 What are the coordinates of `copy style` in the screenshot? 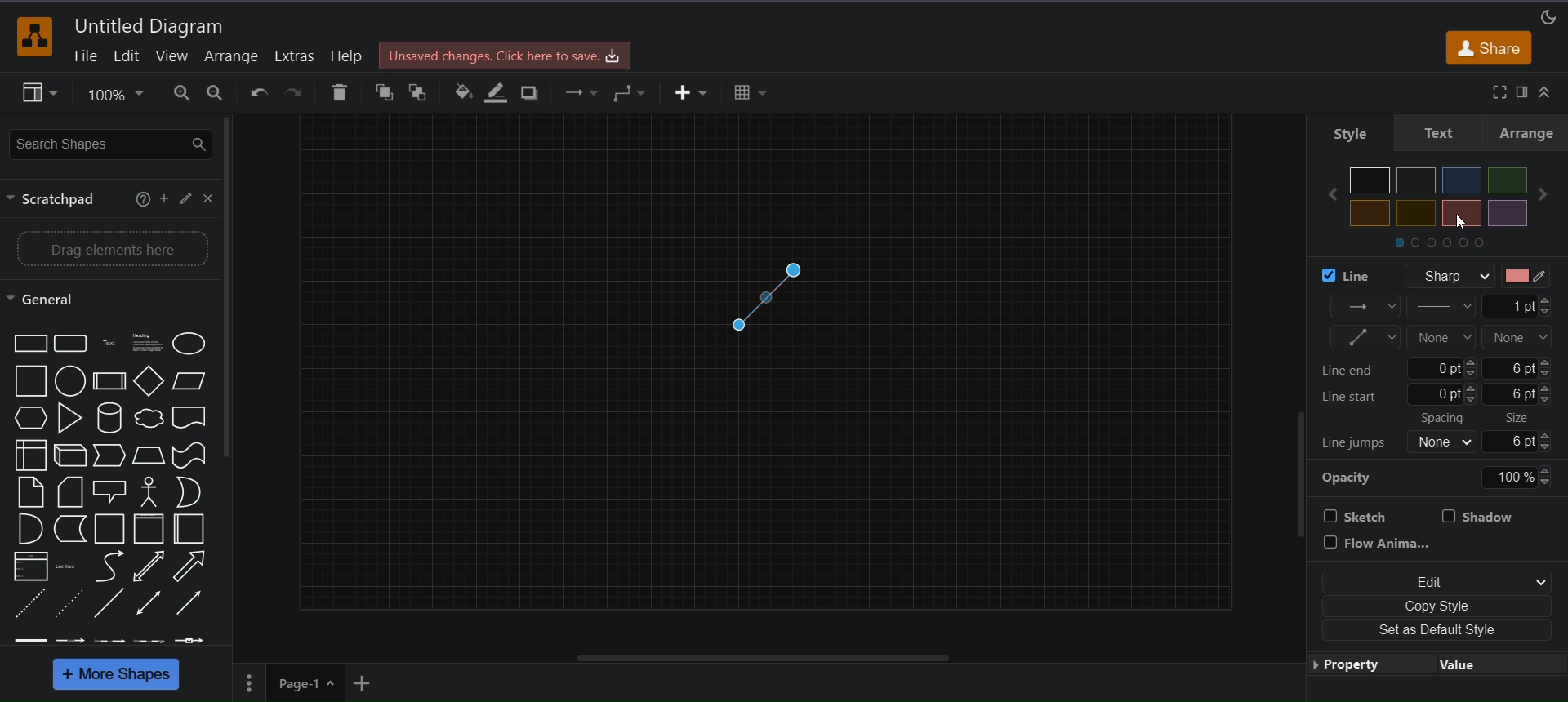 It's located at (1433, 608).